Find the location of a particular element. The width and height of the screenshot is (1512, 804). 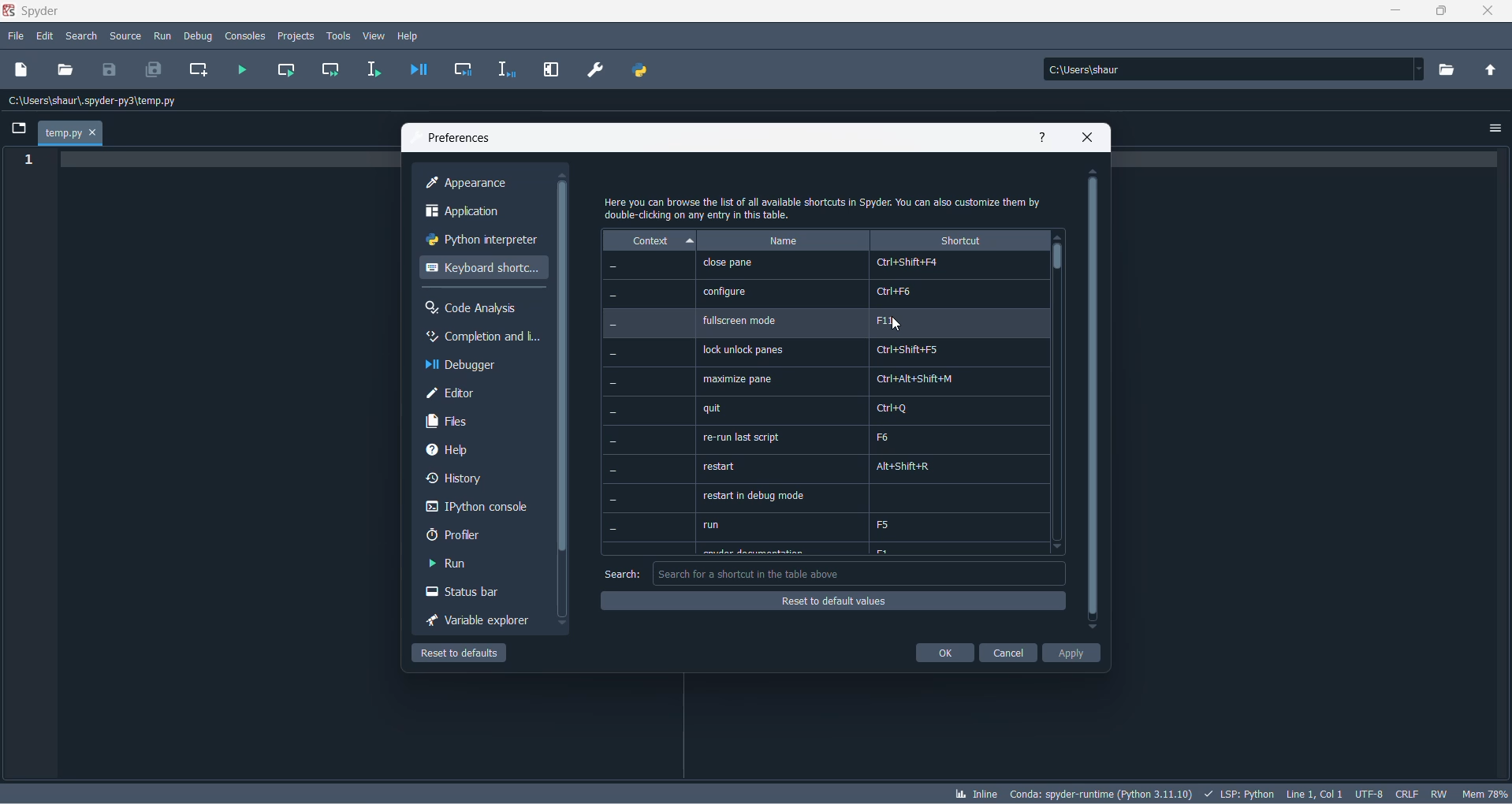

move down is located at coordinates (1056, 549).